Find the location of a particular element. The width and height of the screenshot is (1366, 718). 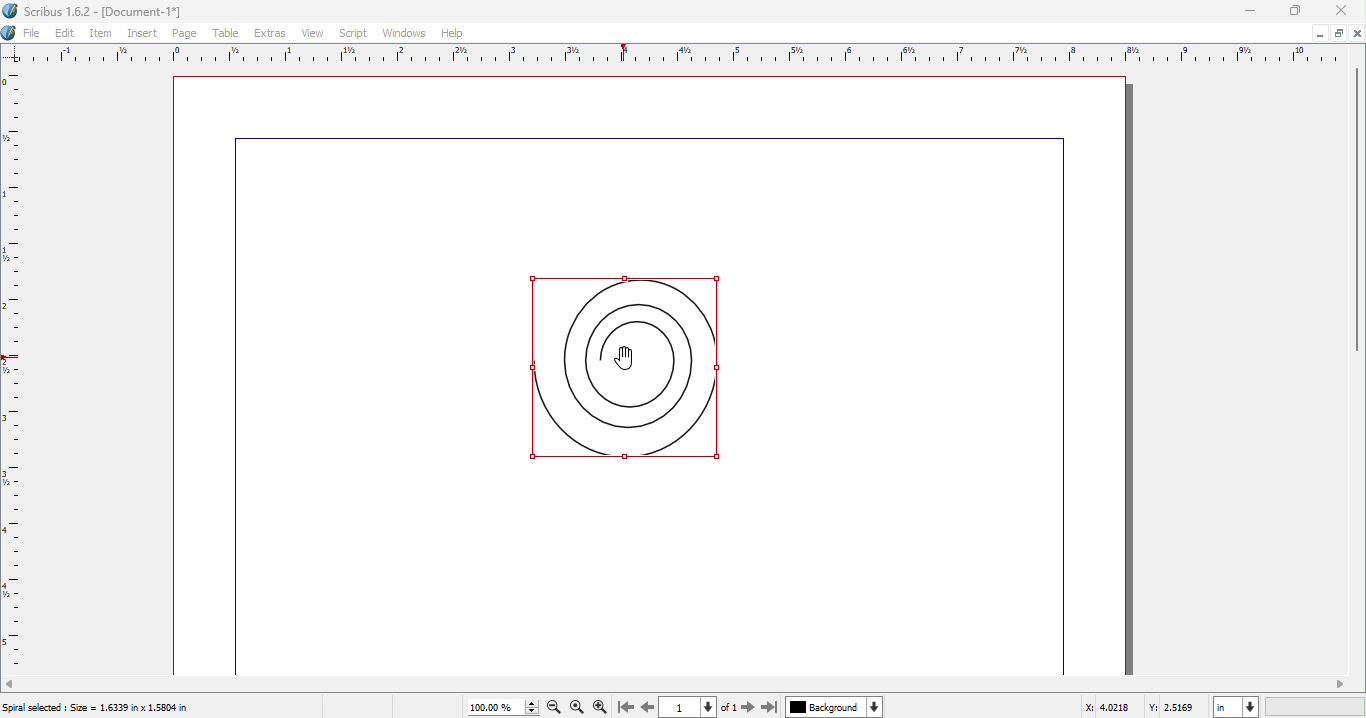

current page is located at coordinates (677, 708).